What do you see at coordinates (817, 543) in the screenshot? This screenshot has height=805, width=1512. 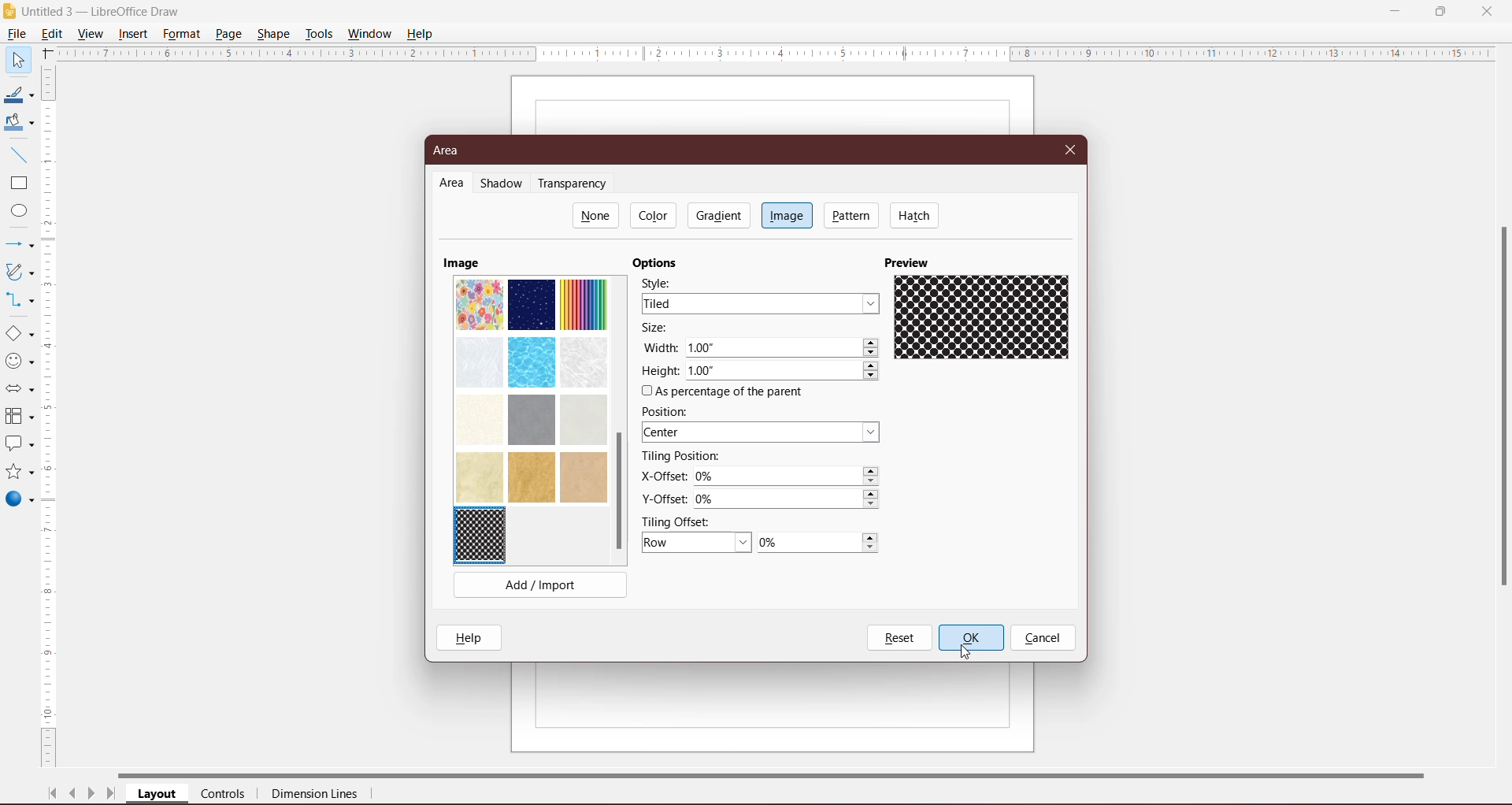 I see `0%` at bounding box center [817, 543].